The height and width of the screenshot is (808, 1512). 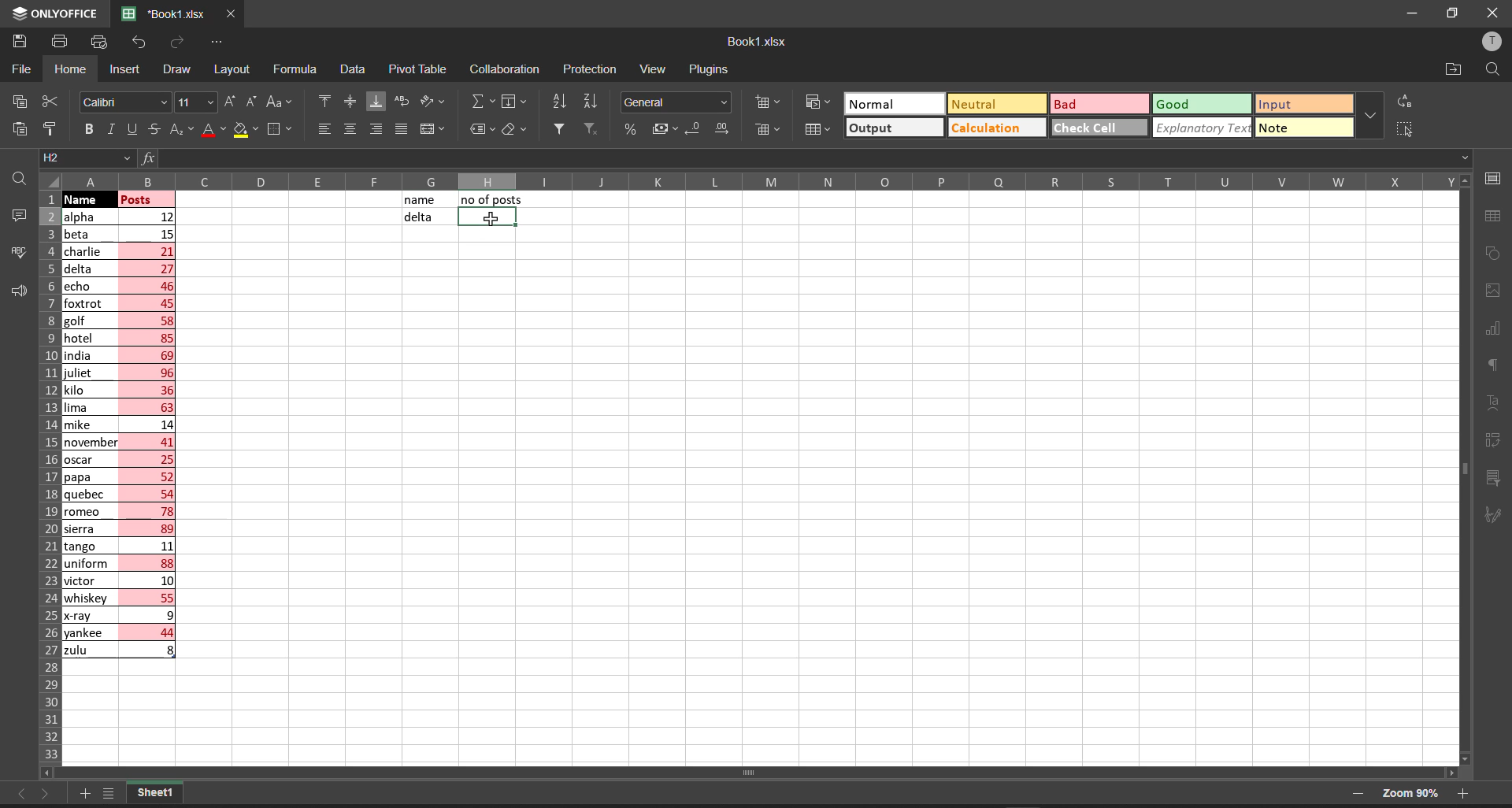 What do you see at coordinates (1070, 104) in the screenshot?
I see `Bad` at bounding box center [1070, 104].